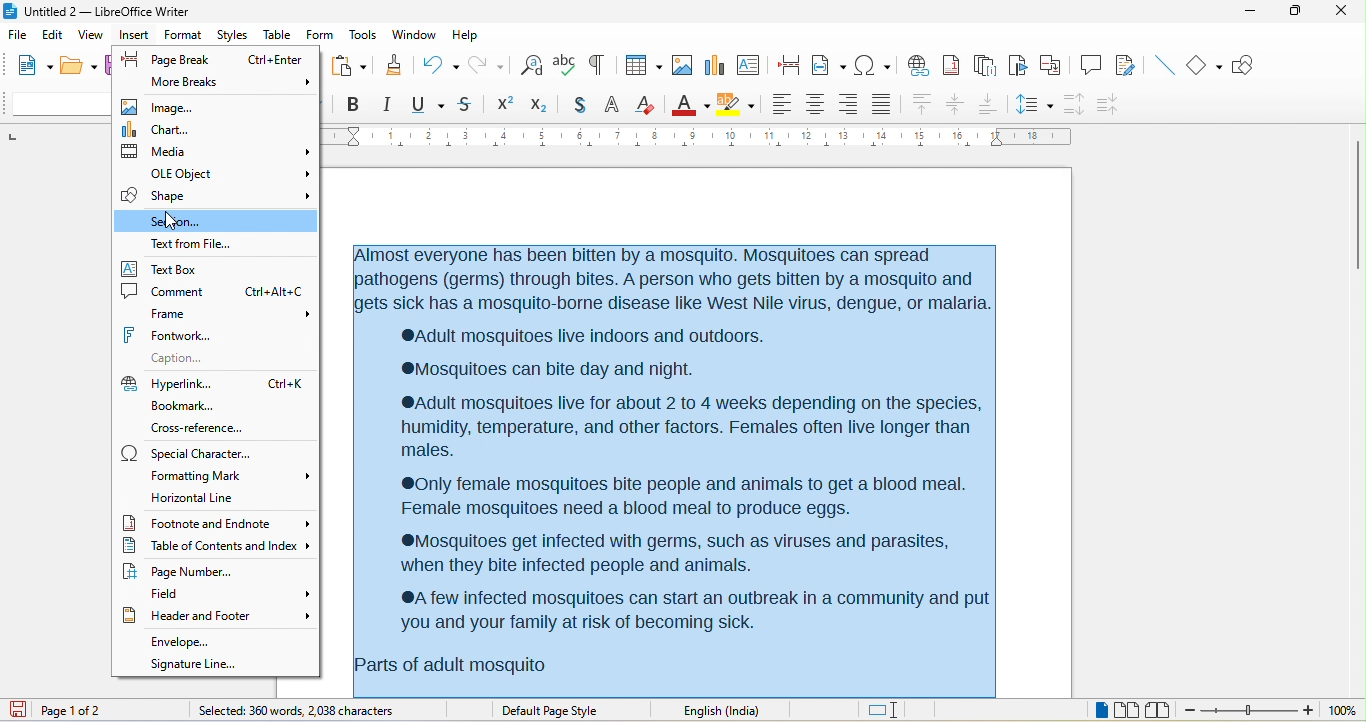 This screenshot has height=722, width=1366. Describe the element at coordinates (1034, 106) in the screenshot. I see `set line spacing` at that location.